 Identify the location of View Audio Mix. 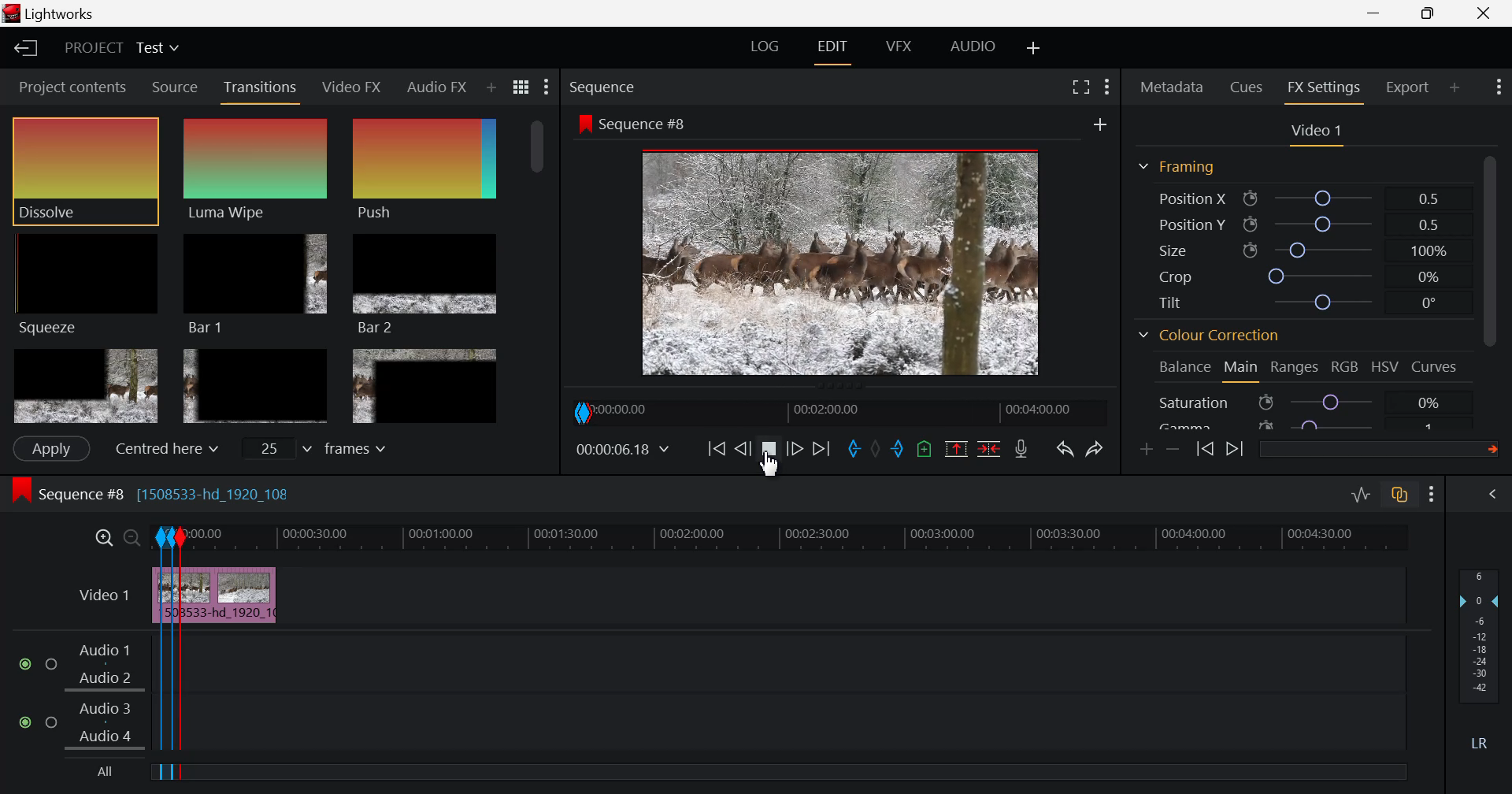
(1495, 495).